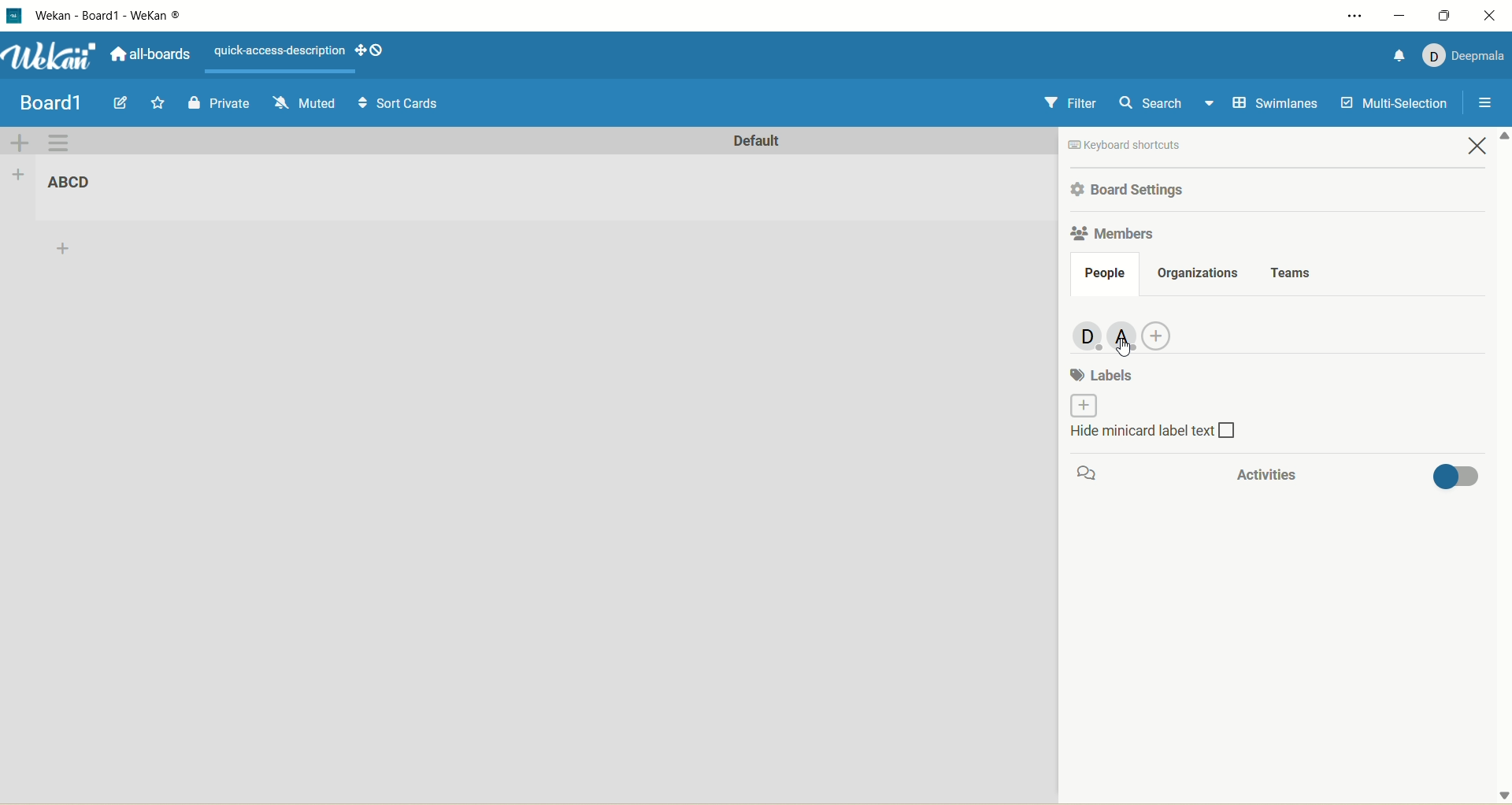  What do you see at coordinates (65, 251) in the screenshot?
I see `add` at bounding box center [65, 251].